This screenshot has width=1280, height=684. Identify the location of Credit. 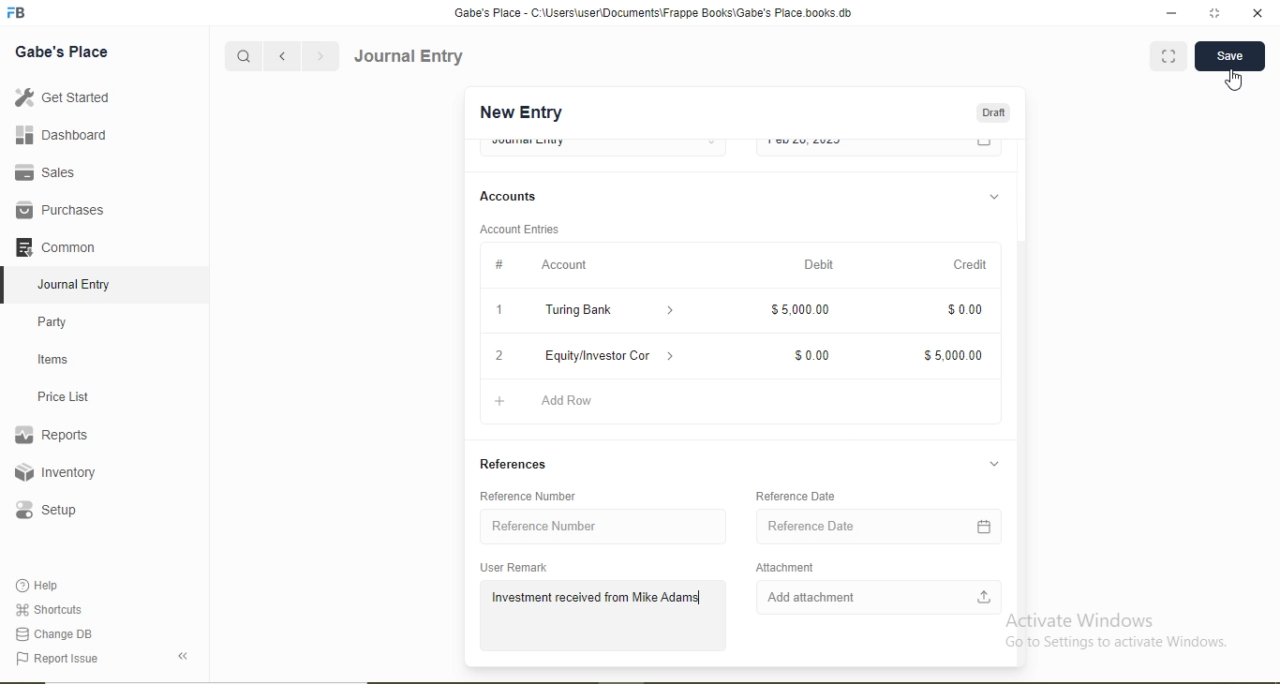
(971, 266).